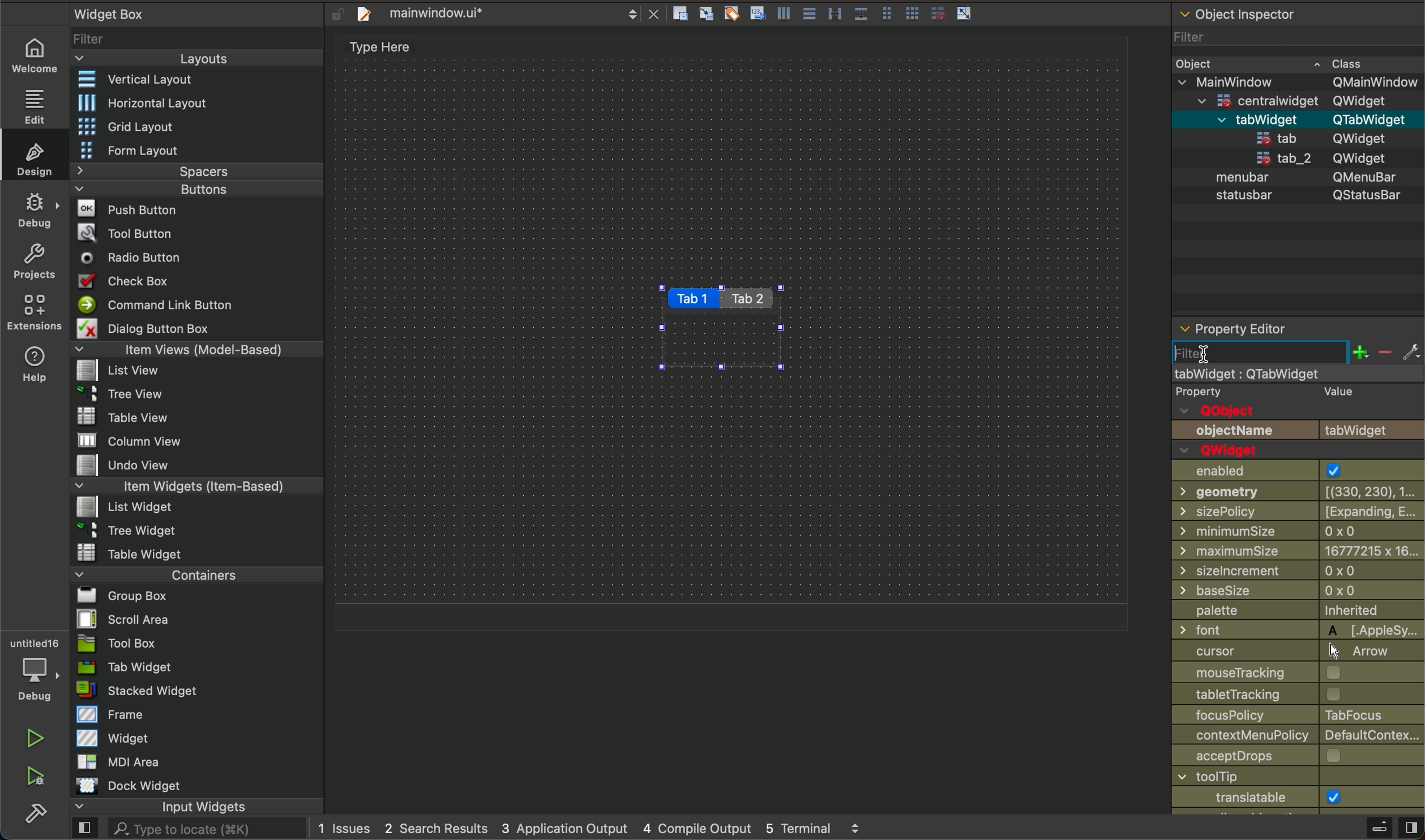 This screenshot has width=1425, height=840. Describe the element at coordinates (1295, 400) in the screenshot. I see `qobject` at that location.